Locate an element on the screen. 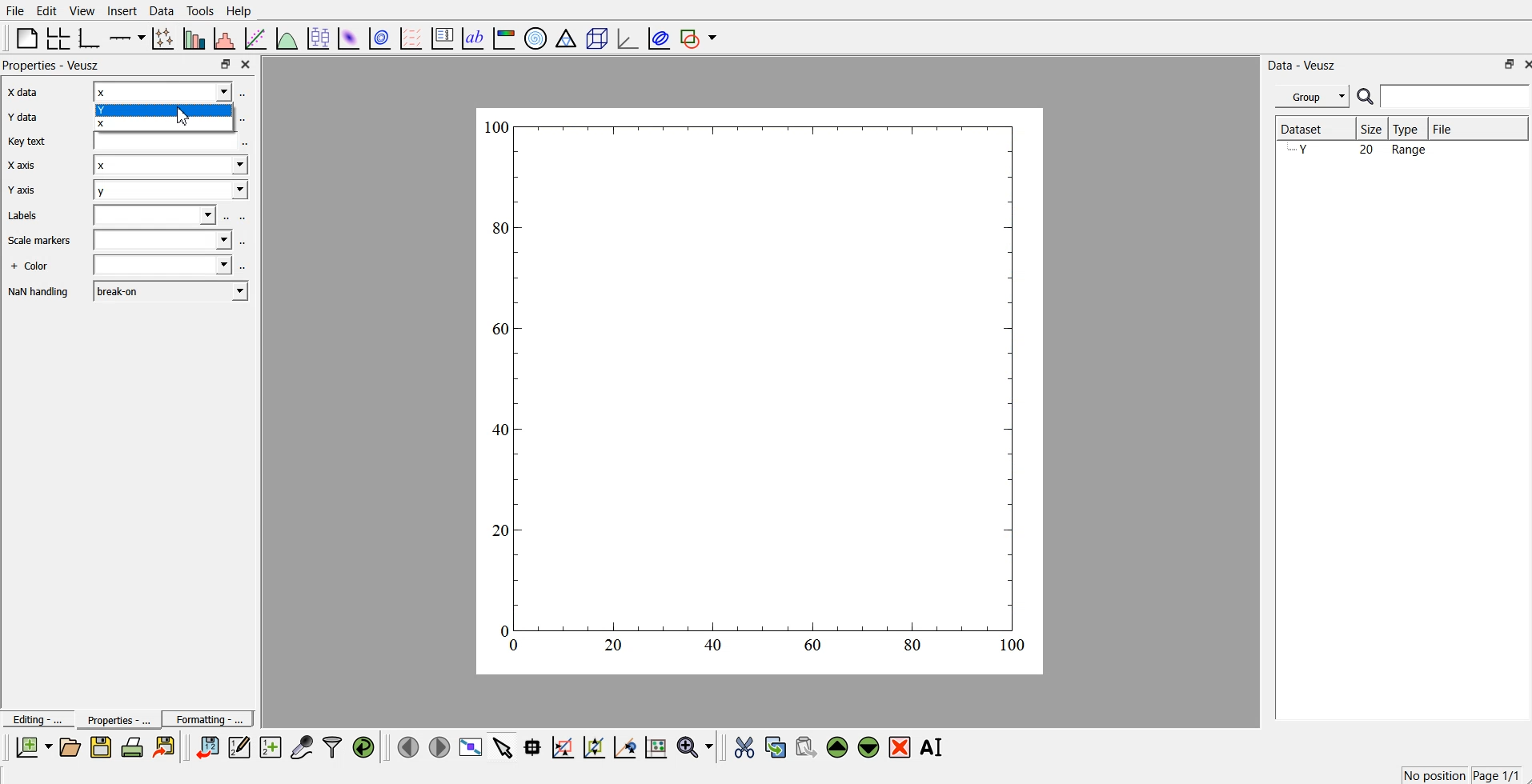 The image size is (1532, 784). Group is located at coordinates (1309, 97).